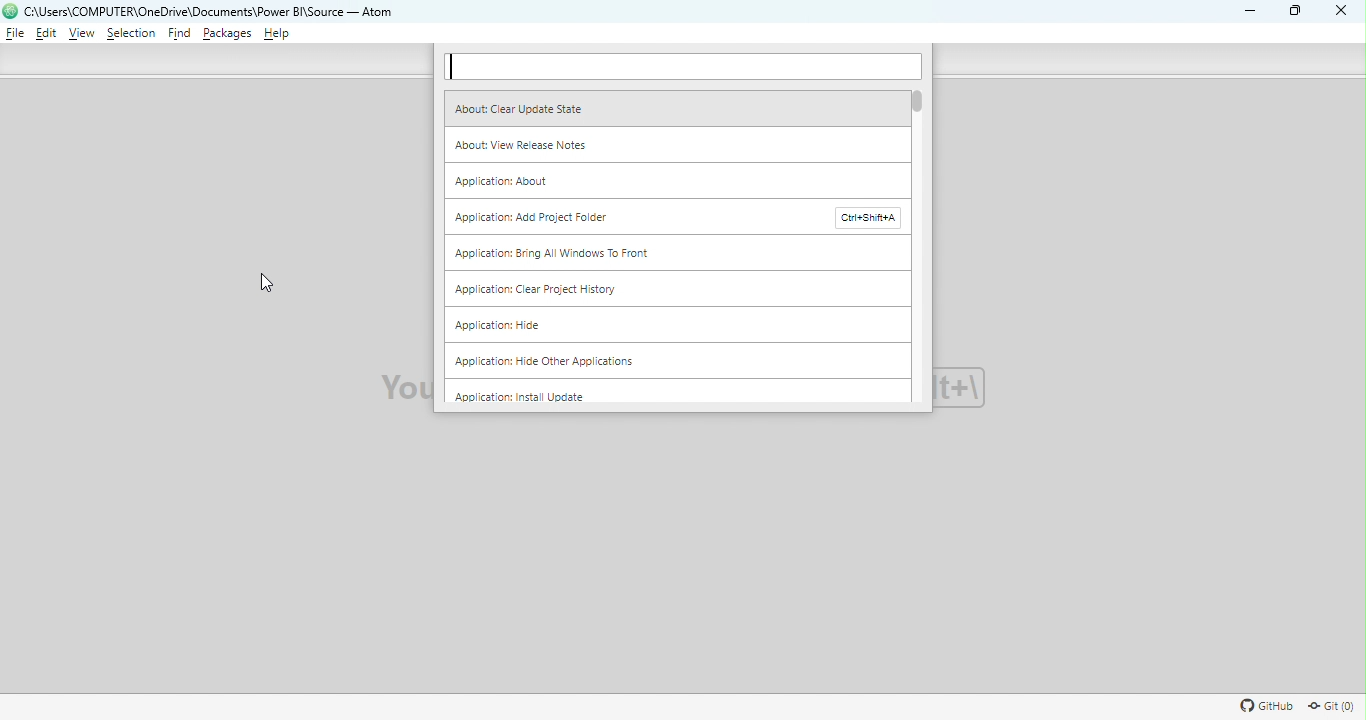 This screenshot has width=1366, height=720. Describe the element at coordinates (1246, 10) in the screenshot. I see `Minimize` at that location.